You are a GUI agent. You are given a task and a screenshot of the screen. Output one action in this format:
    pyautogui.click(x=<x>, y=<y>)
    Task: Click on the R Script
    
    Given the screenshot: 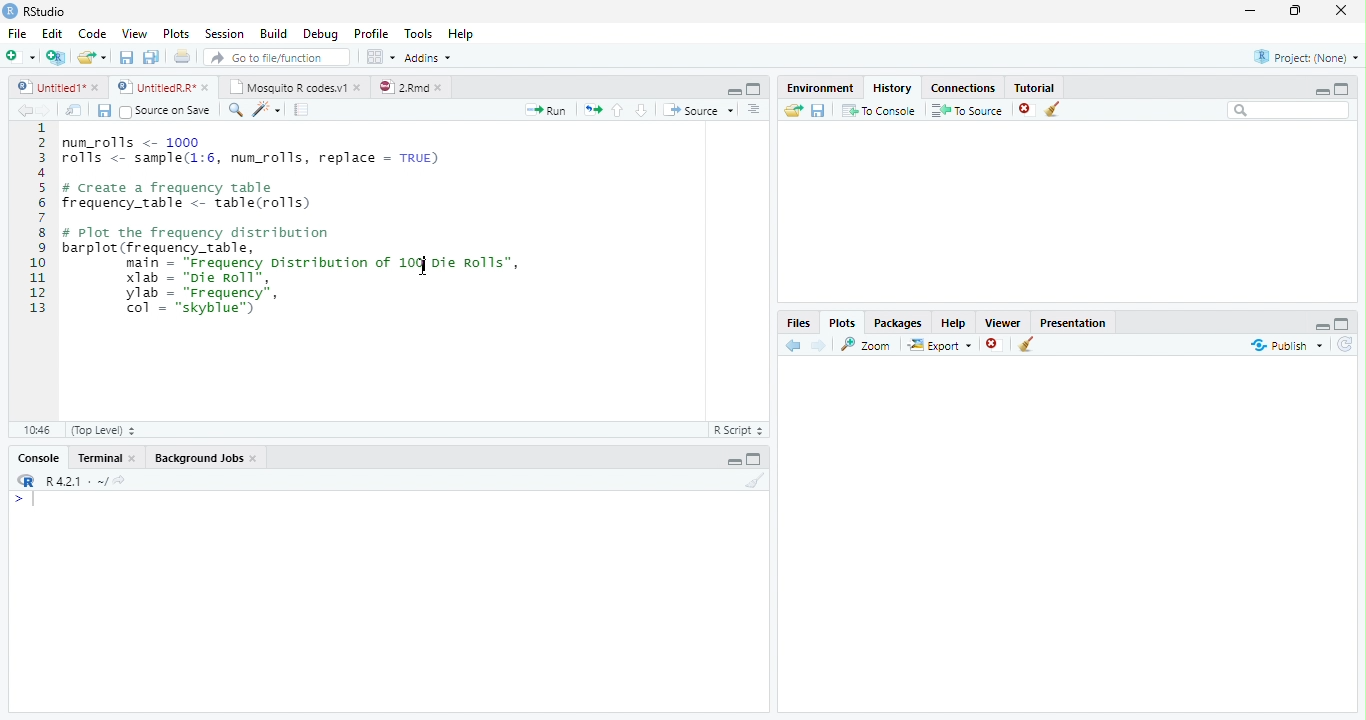 What is the action you would take?
    pyautogui.click(x=739, y=430)
    